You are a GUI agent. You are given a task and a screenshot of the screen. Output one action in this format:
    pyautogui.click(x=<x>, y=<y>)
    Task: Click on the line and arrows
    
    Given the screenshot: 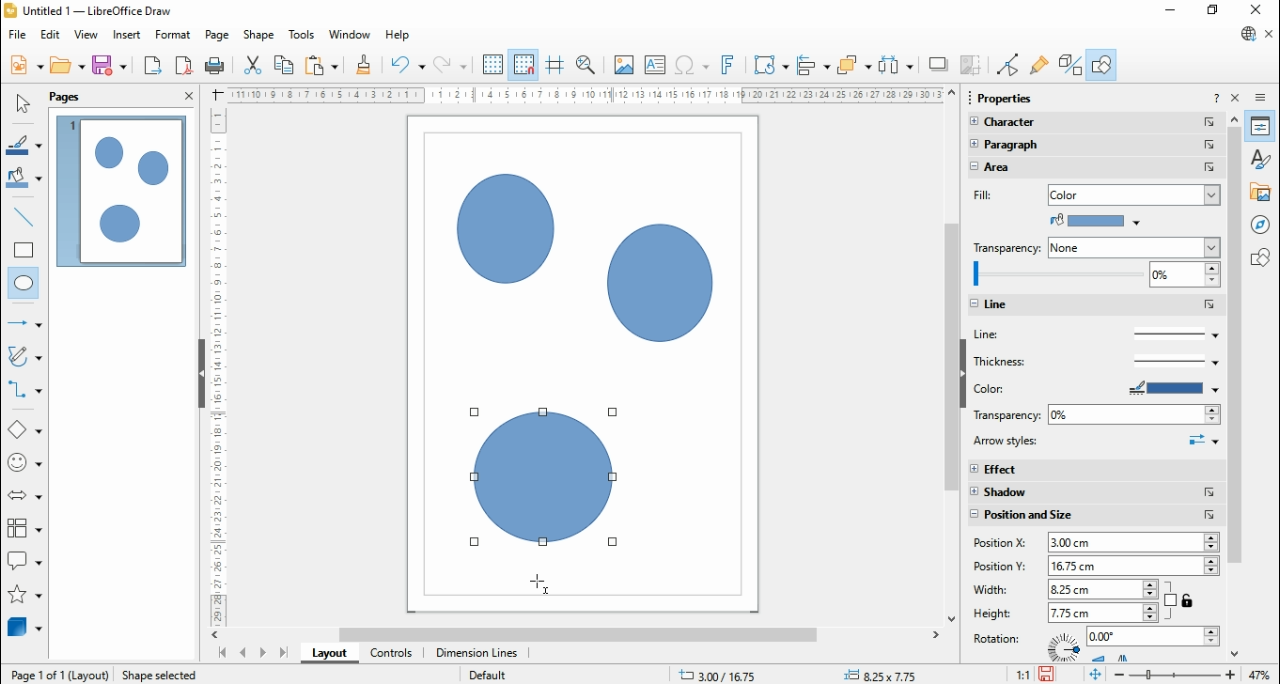 What is the action you would take?
    pyautogui.click(x=25, y=323)
    